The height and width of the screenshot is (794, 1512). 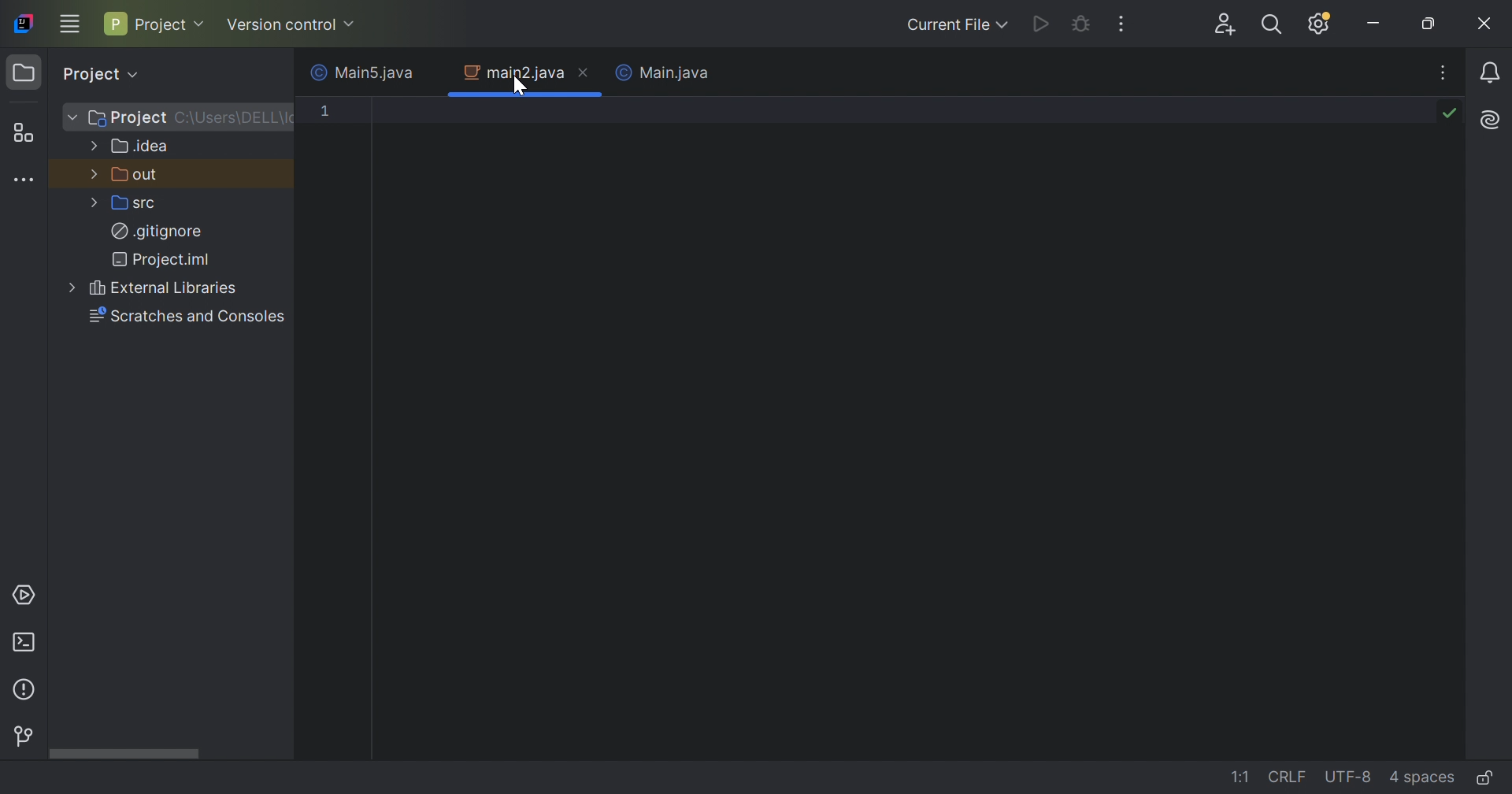 What do you see at coordinates (22, 71) in the screenshot?
I see `Project icon` at bounding box center [22, 71].